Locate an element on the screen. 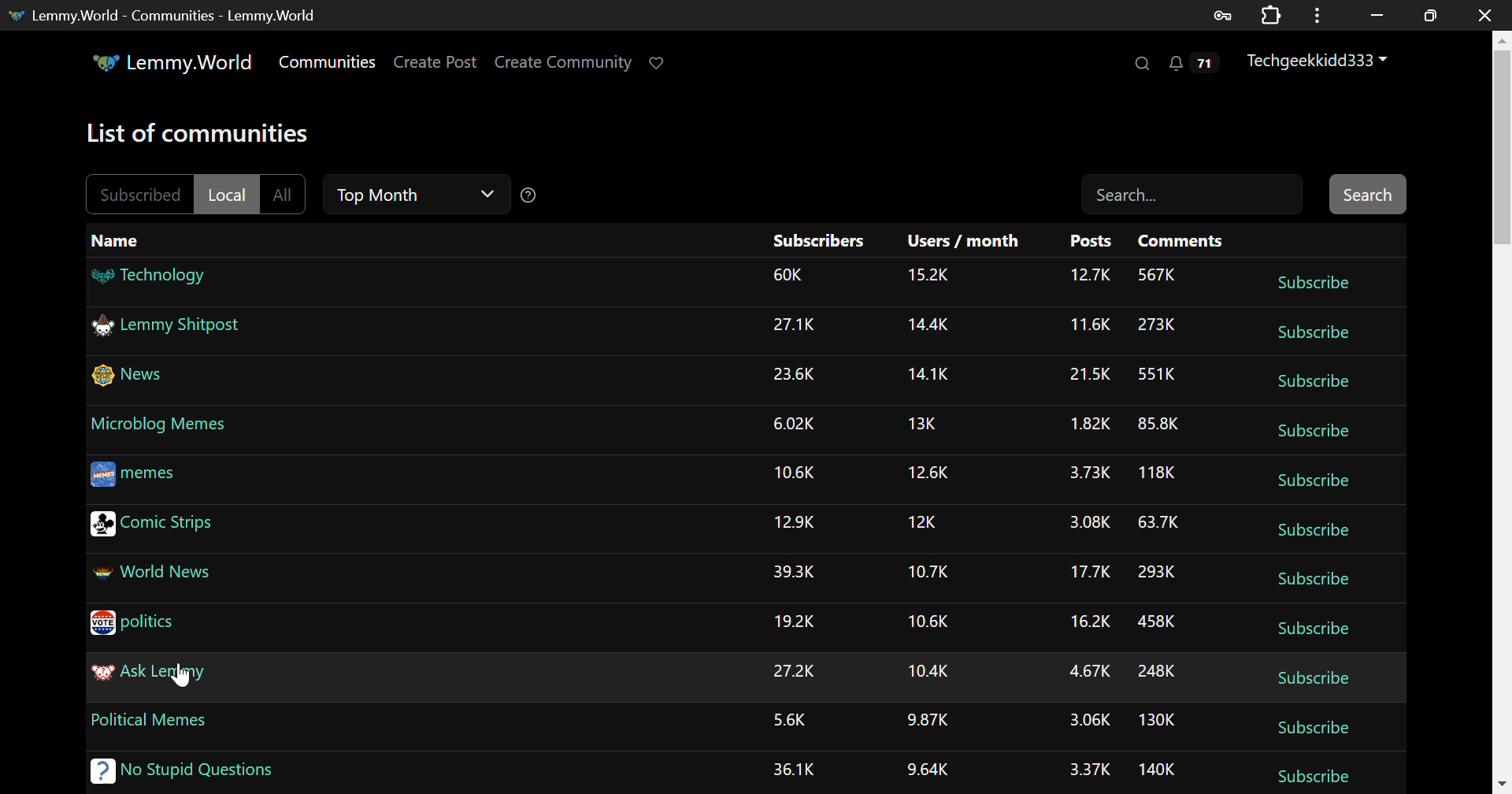  Amount is located at coordinates (1088, 524).